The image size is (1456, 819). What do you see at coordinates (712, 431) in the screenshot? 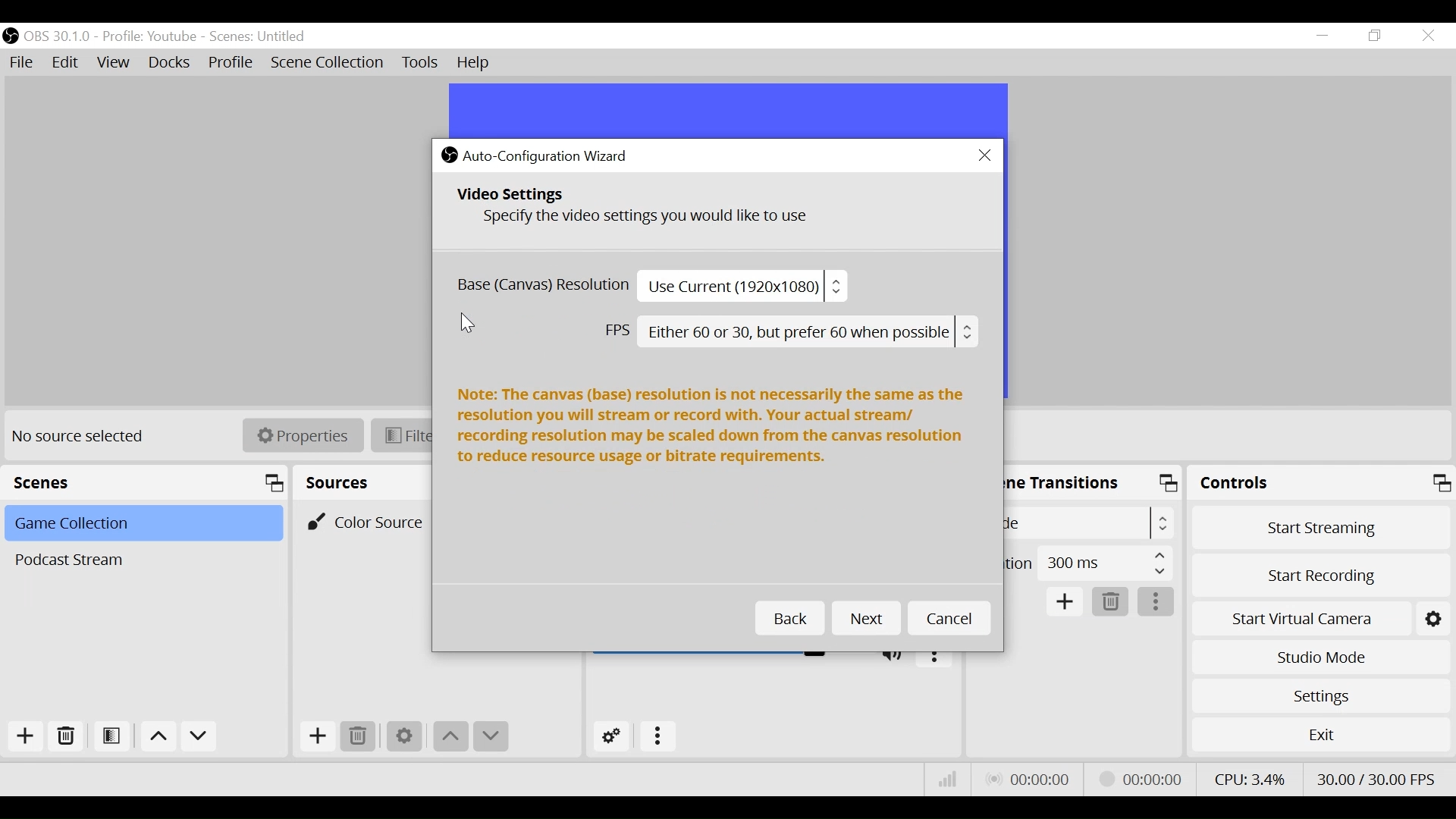
I see `NOTE: the Canvas (base) resolution is not necessarily the same as the resolution you will stream or record your actual stream/recording resolution may be scale down from the canvas resolution to reduce resource usage or bitrate requirements` at bounding box center [712, 431].